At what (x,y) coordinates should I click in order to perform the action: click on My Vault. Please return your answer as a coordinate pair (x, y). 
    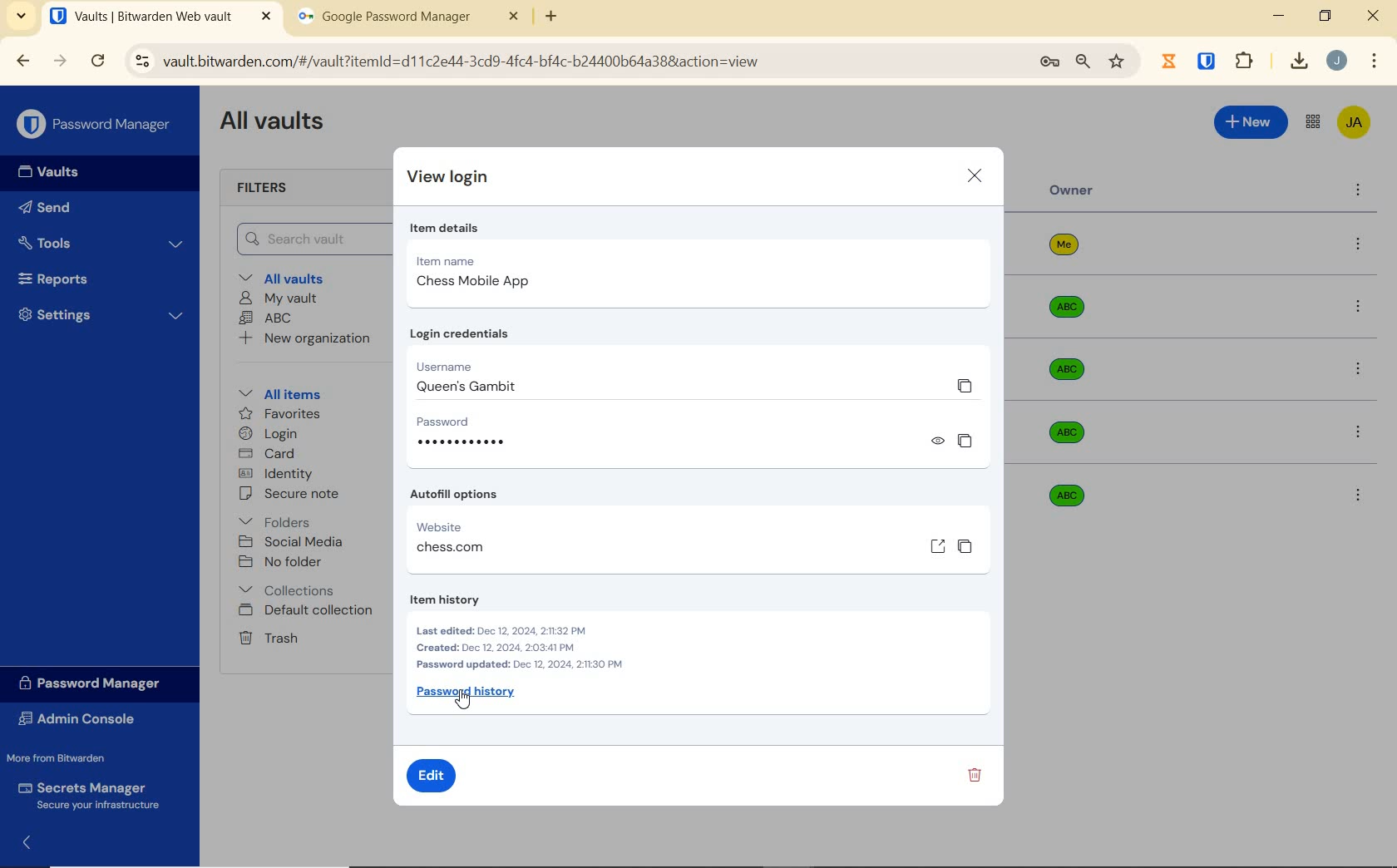
    Looking at the image, I should click on (281, 297).